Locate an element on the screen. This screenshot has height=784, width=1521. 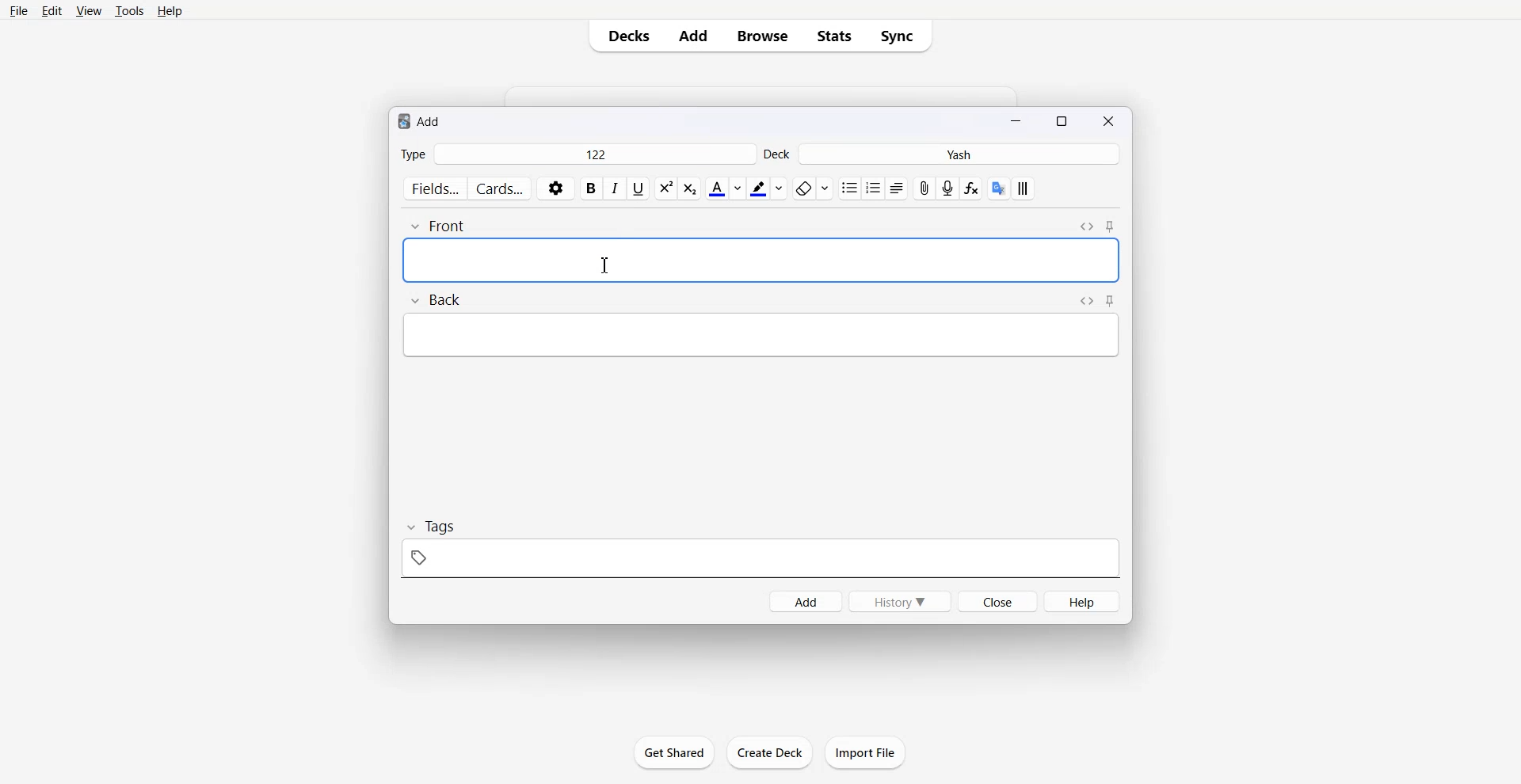
Create Deck is located at coordinates (769, 752).